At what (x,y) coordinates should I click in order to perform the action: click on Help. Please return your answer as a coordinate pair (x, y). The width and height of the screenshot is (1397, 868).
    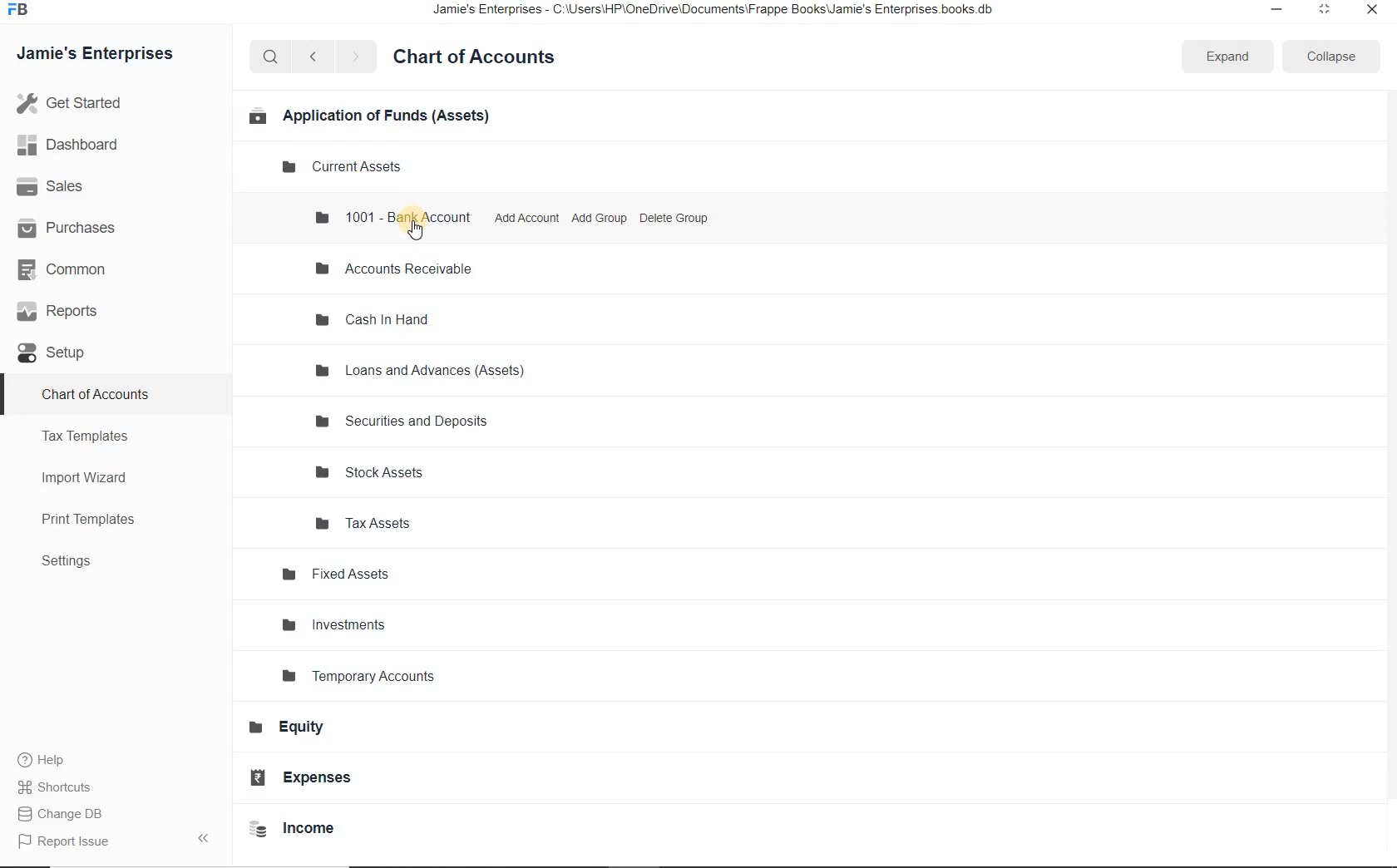
    Looking at the image, I should click on (50, 762).